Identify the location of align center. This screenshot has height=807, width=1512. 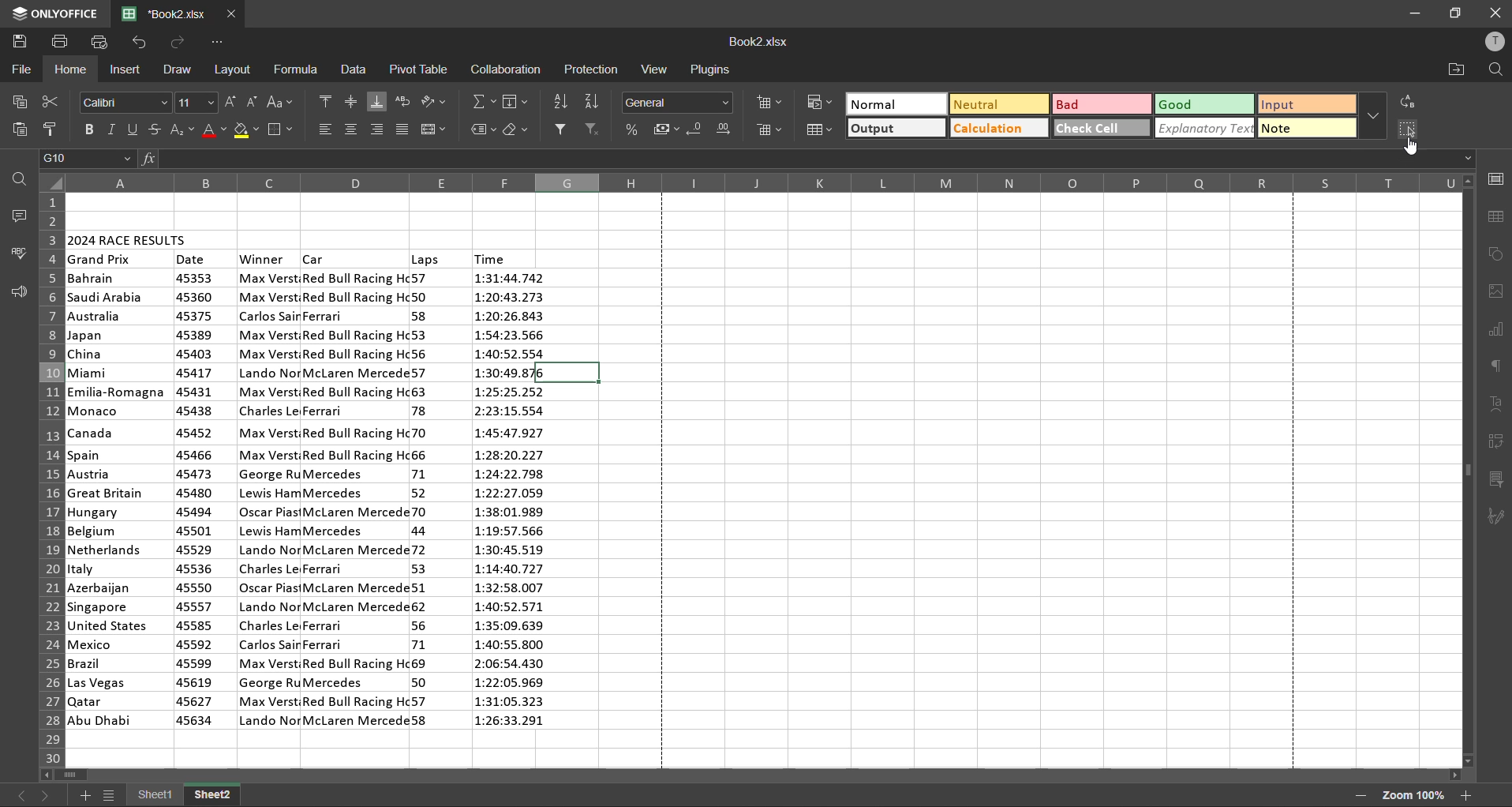
(350, 129).